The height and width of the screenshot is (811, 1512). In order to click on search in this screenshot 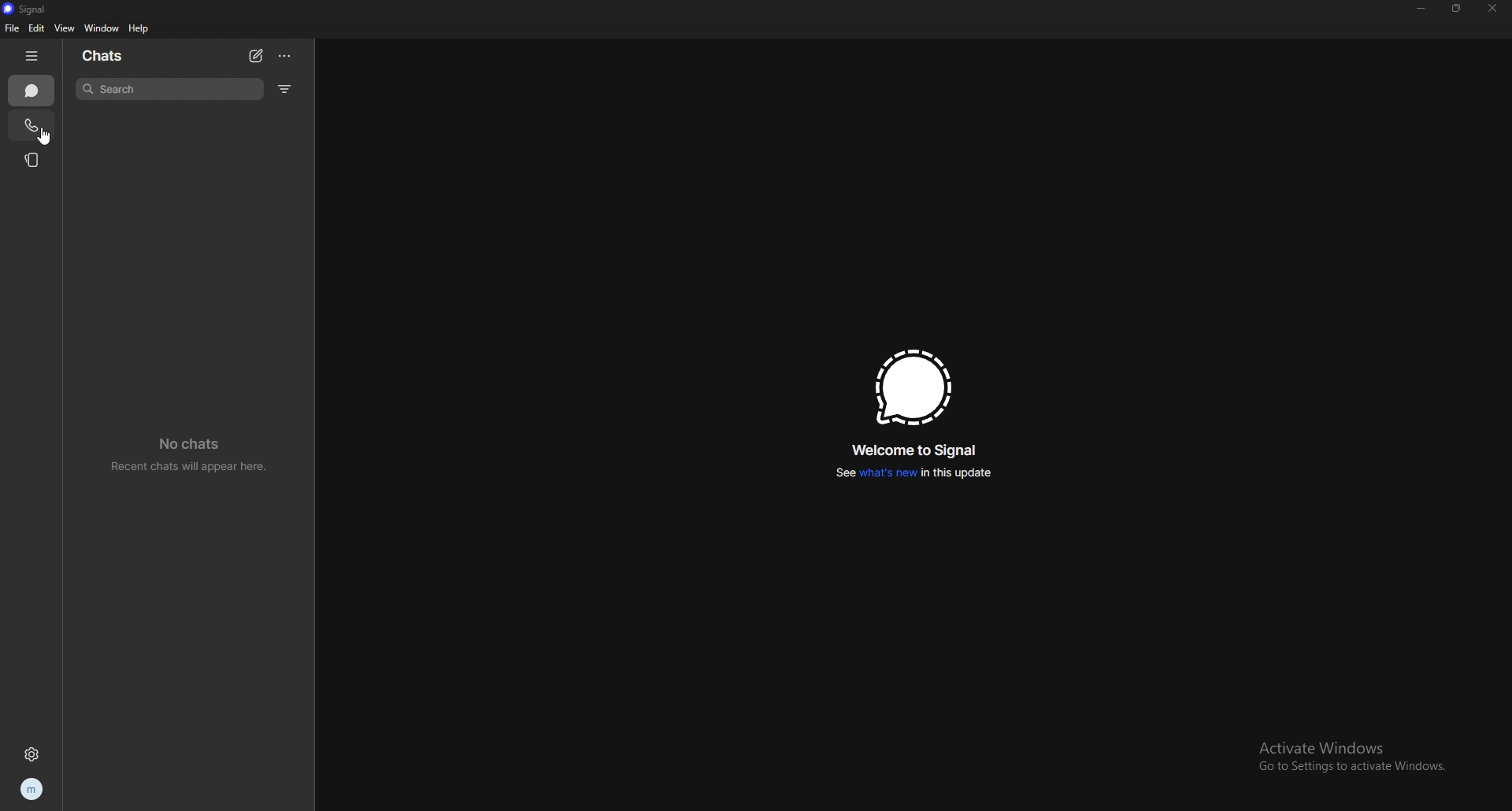, I will do `click(169, 88)`.